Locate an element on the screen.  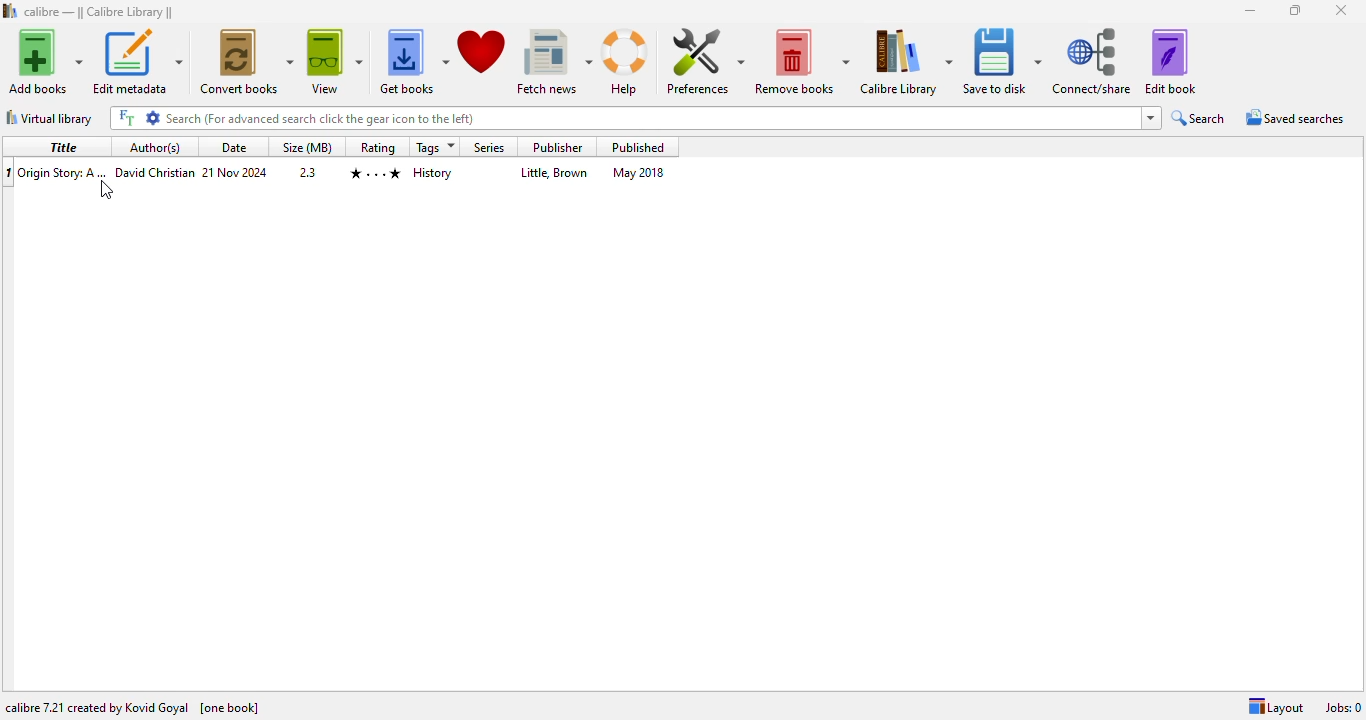
jobs: 0 is located at coordinates (1345, 708).